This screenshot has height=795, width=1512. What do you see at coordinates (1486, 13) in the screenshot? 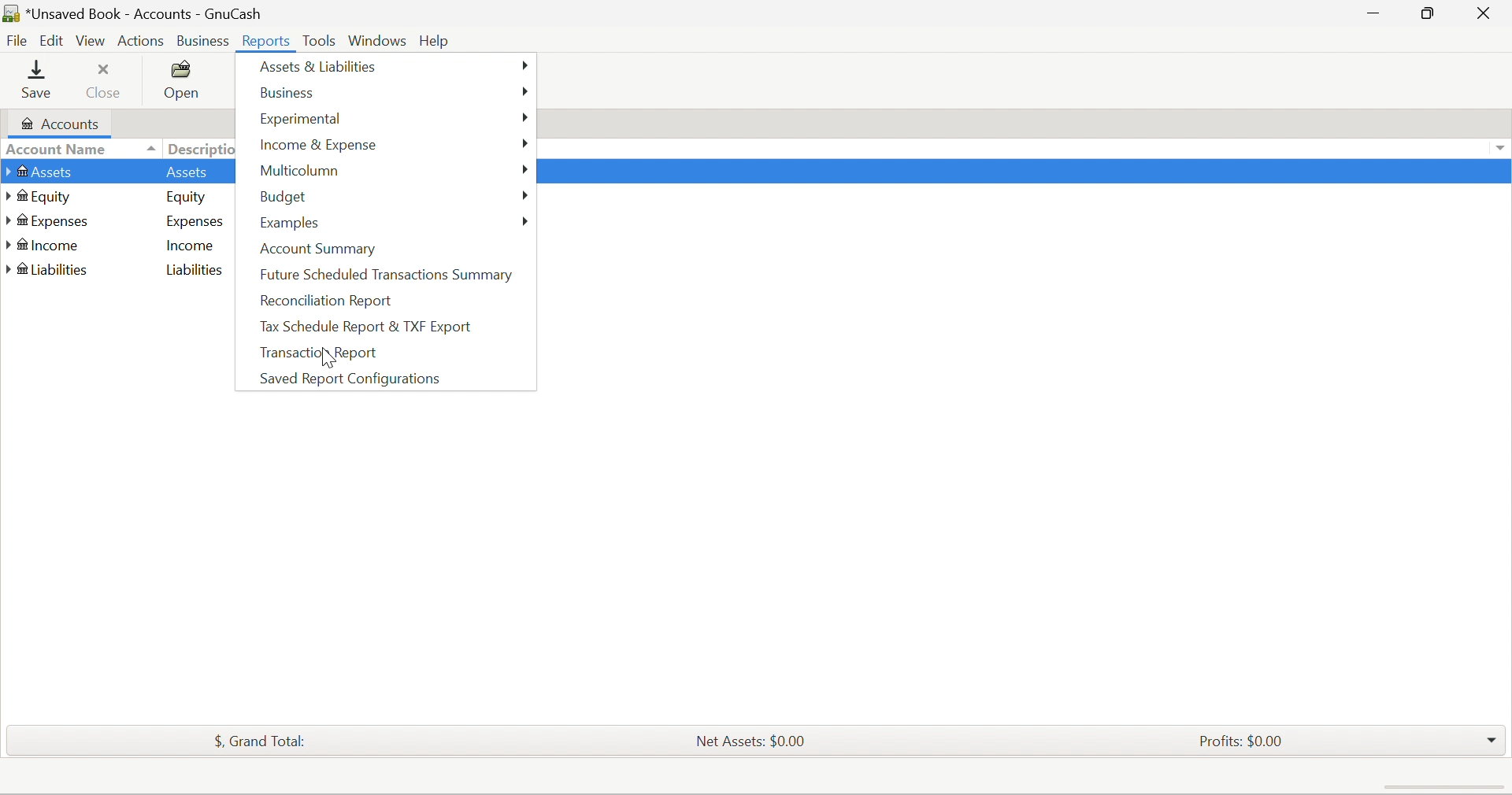
I see `Close` at bounding box center [1486, 13].